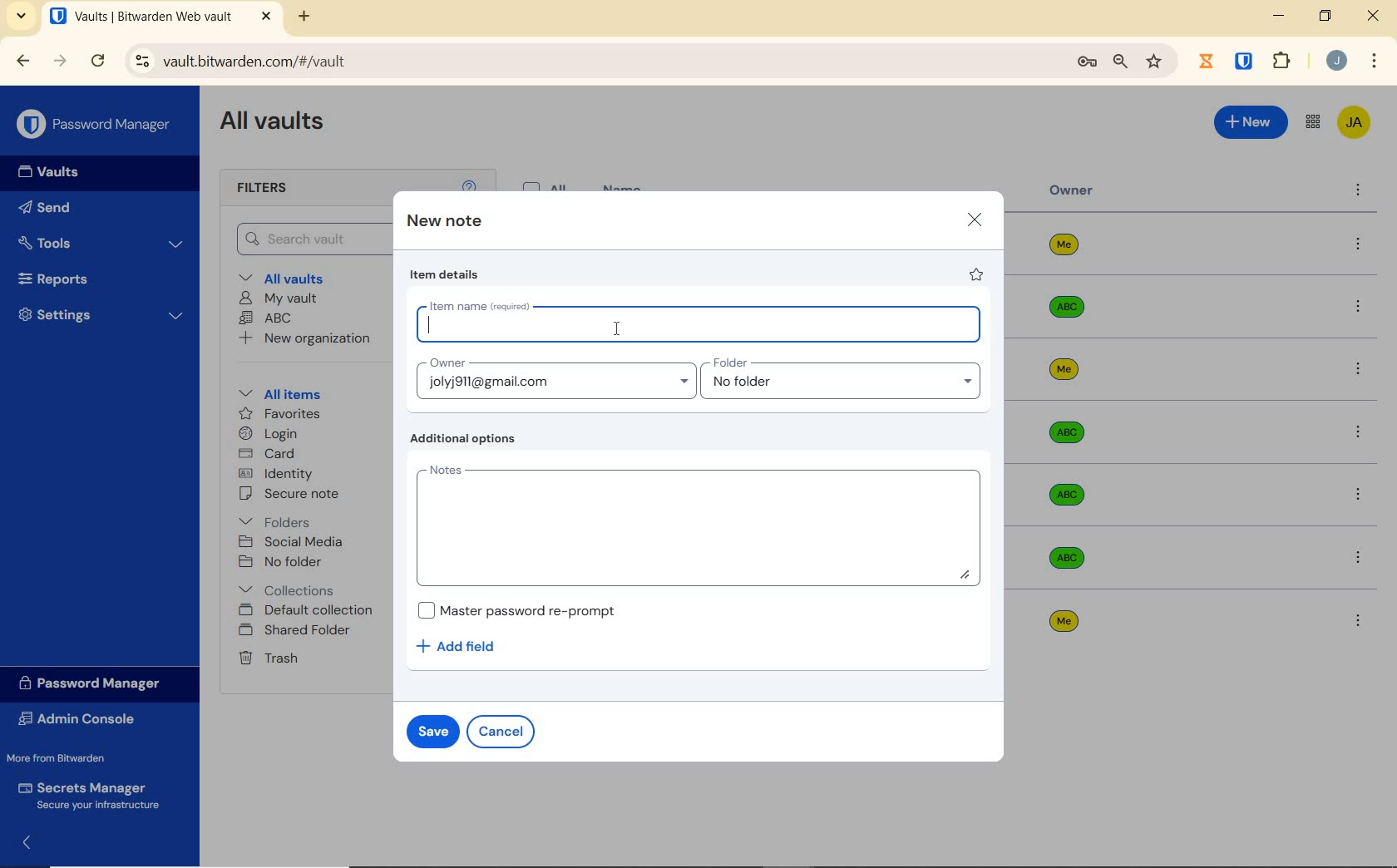 The width and height of the screenshot is (1397, 868). I want to click on SOCIAL MEDIA, so click(294, 542).